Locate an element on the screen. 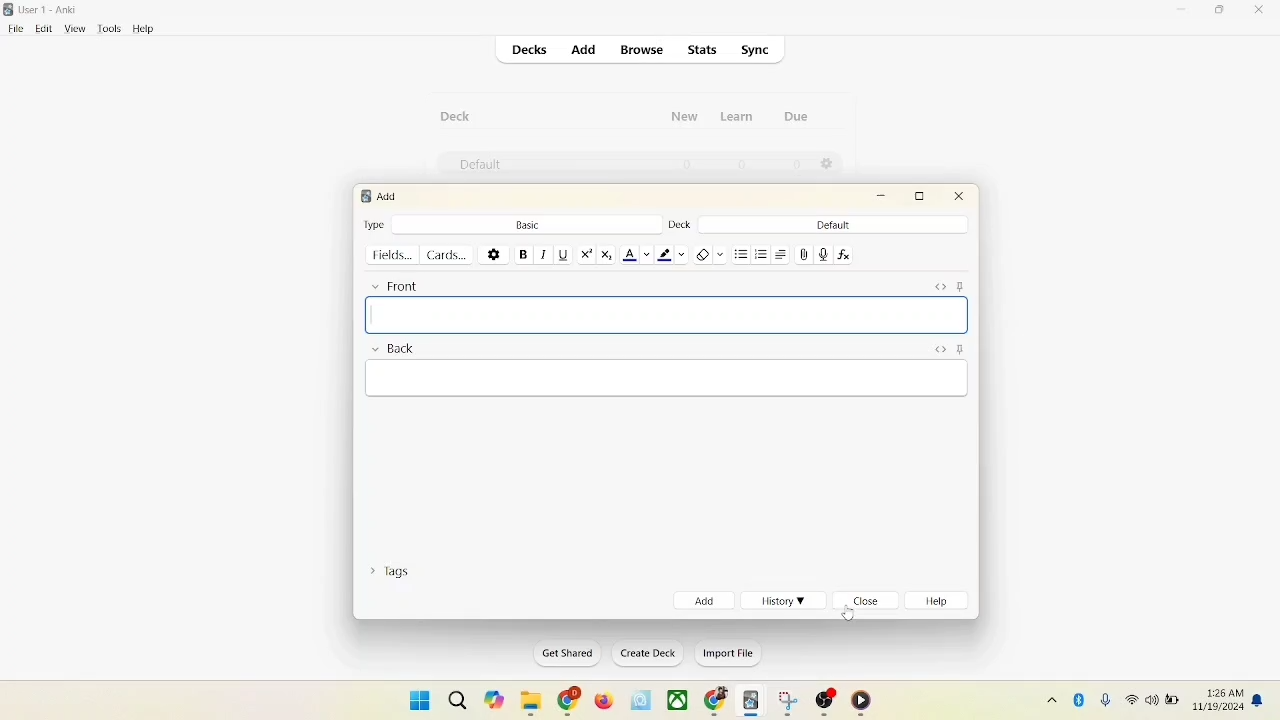 This screenshot has height=720, width=1280. logo is located at coordinates (10, 9).